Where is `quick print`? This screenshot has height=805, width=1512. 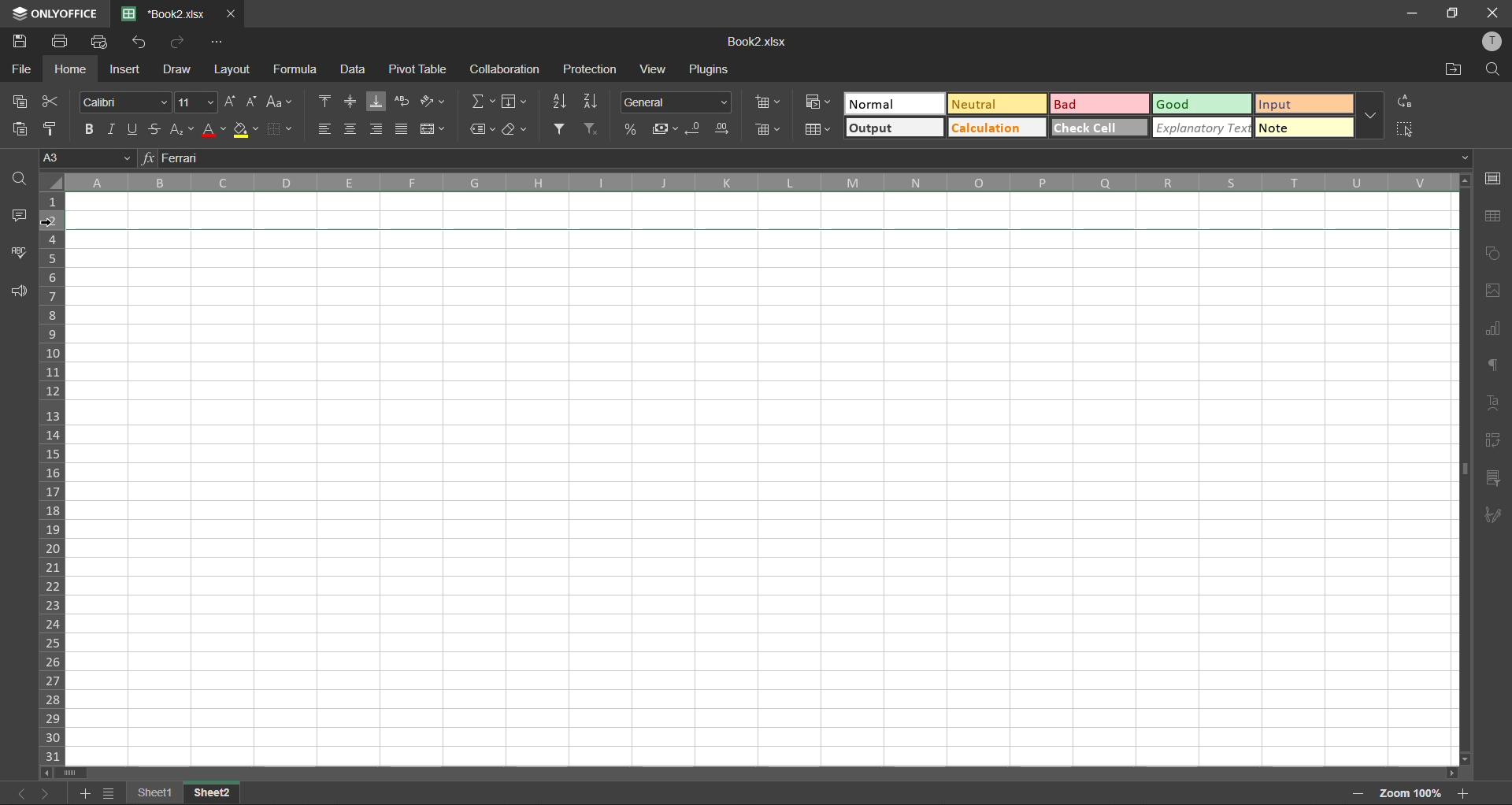
quick print is located at coordinates (106, 43).